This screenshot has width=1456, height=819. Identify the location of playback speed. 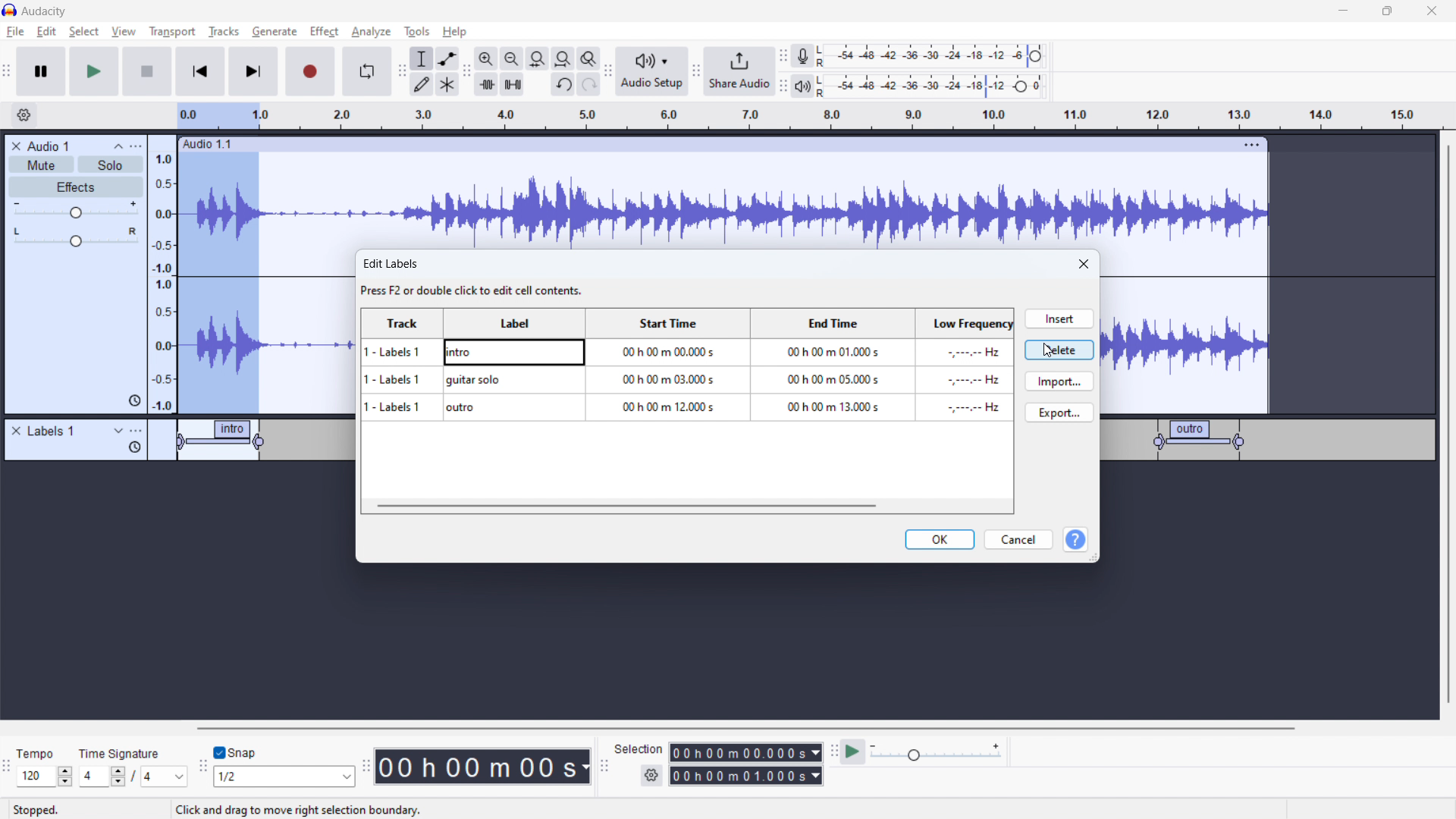
(935, 752).